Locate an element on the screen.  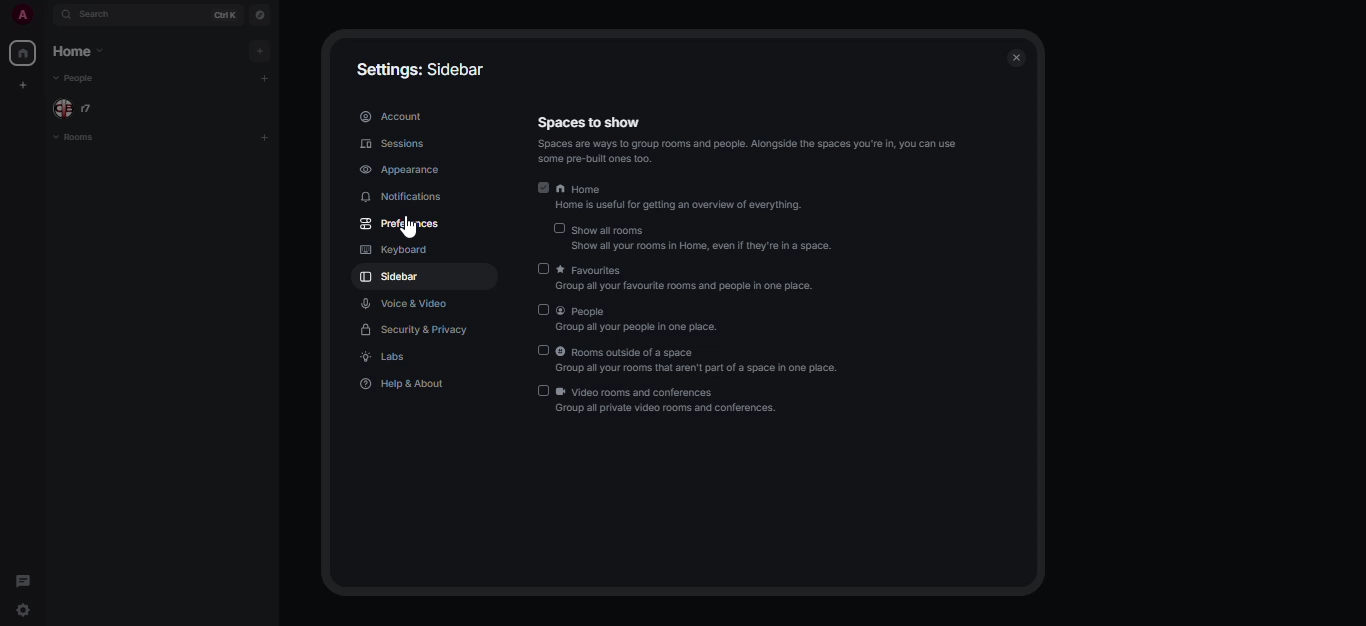
help & about is located at coordinates (408, 383).